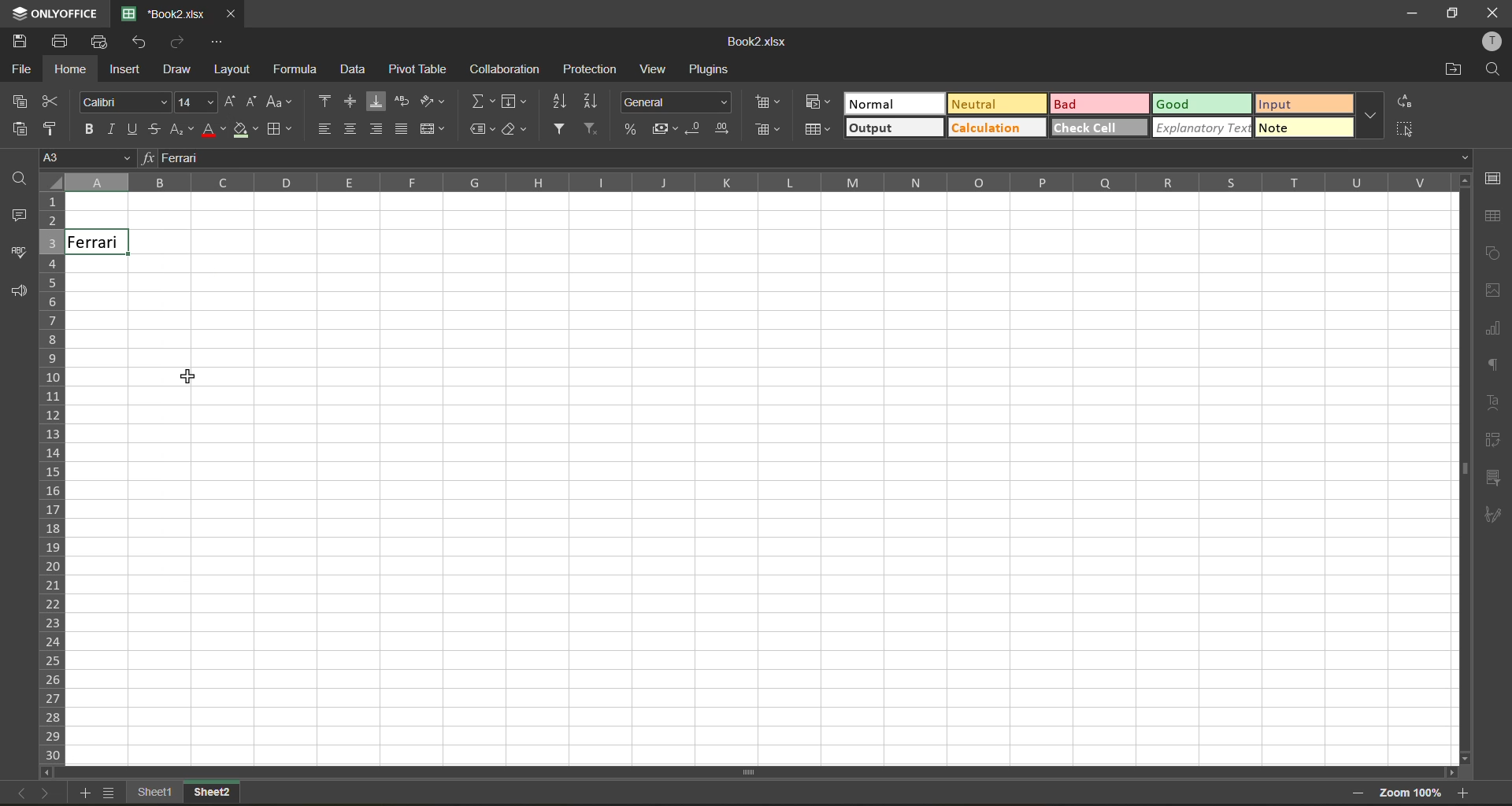 The image size is (1512, 806). Describe the element at coordinates (120, 70) in the screenshot. I see `insert` at that location.